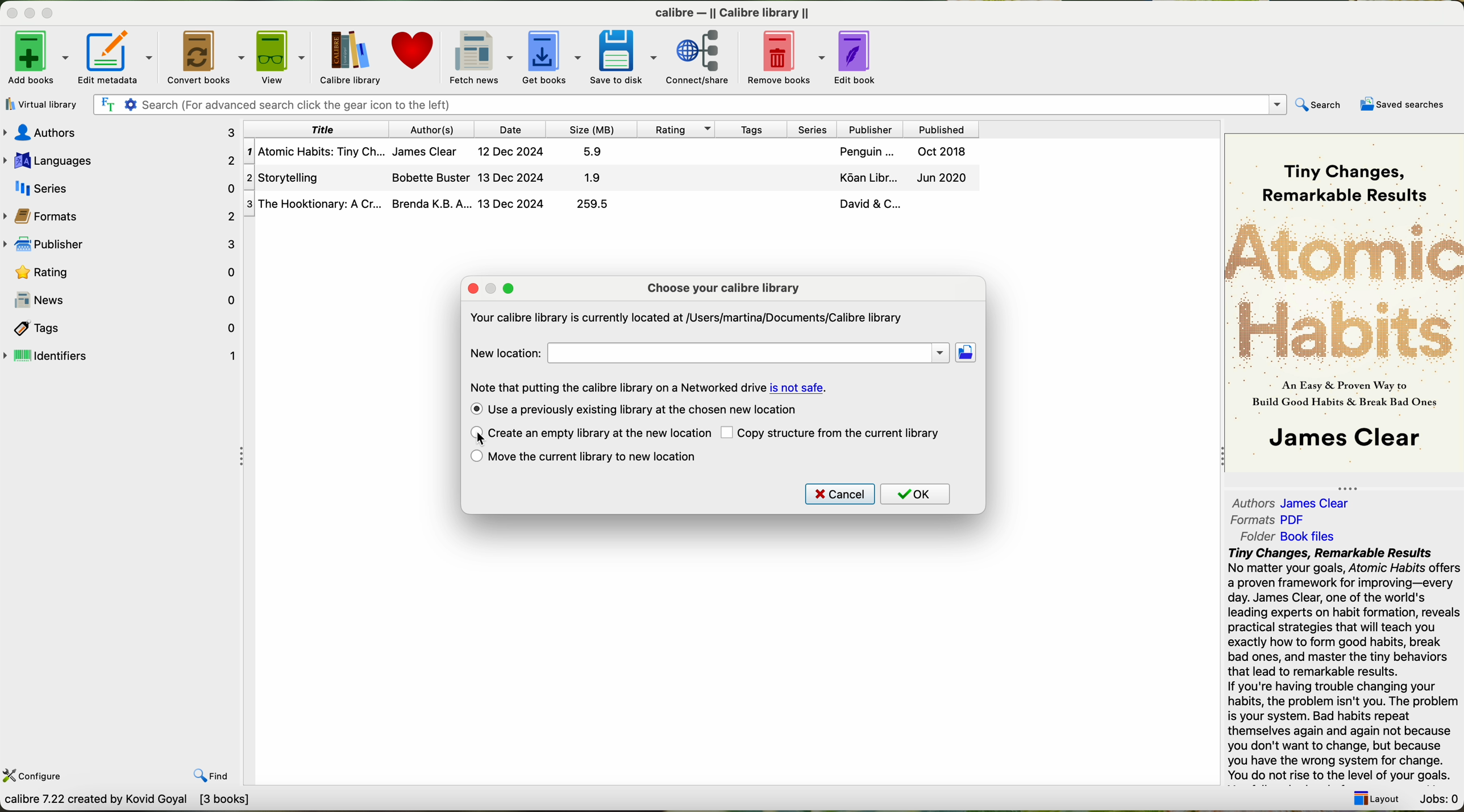  Describe the element at coordinates (809, 128) in the screenshot. I see `series` at that location.